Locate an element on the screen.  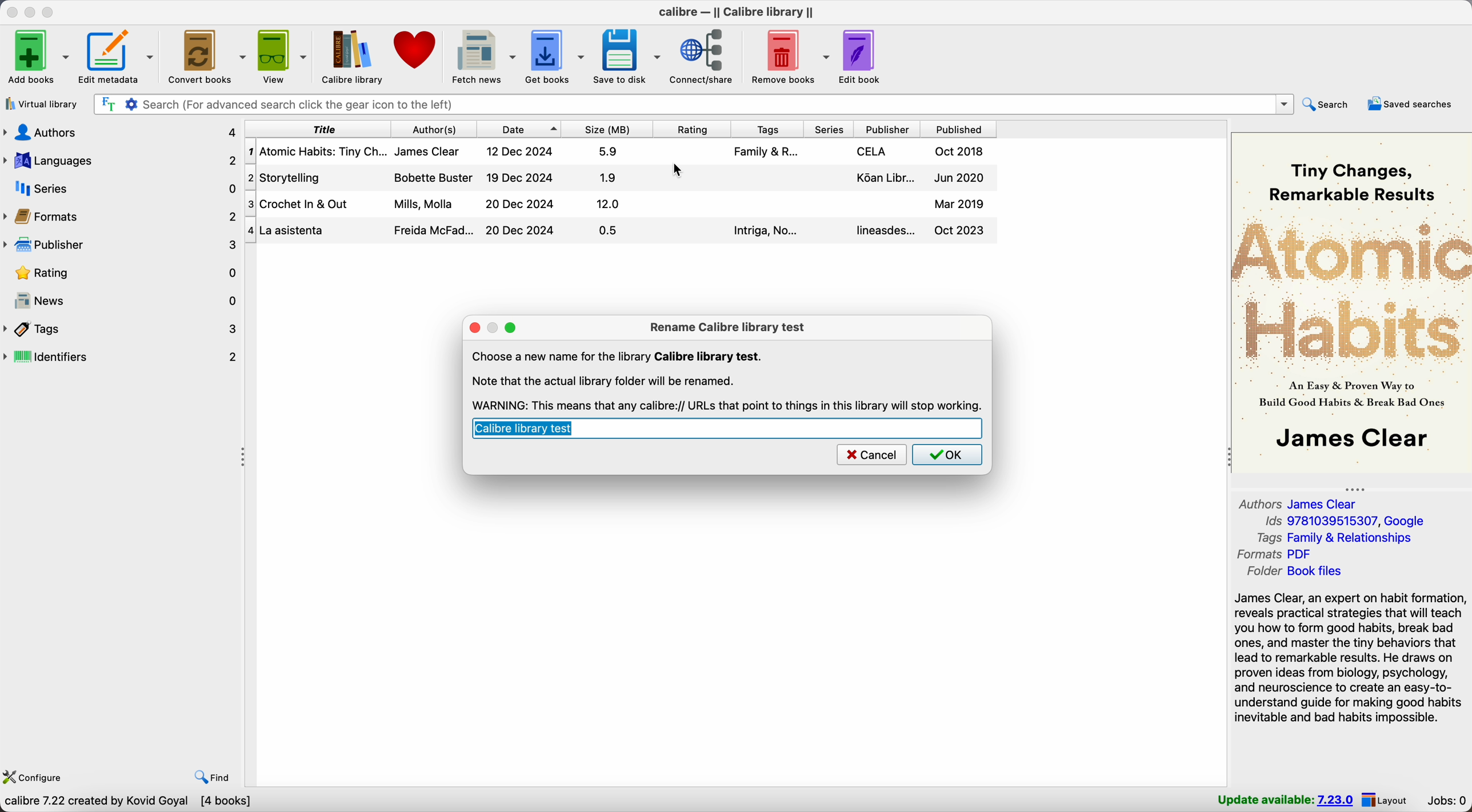
maximize popup is located at coordinates (515, 326).